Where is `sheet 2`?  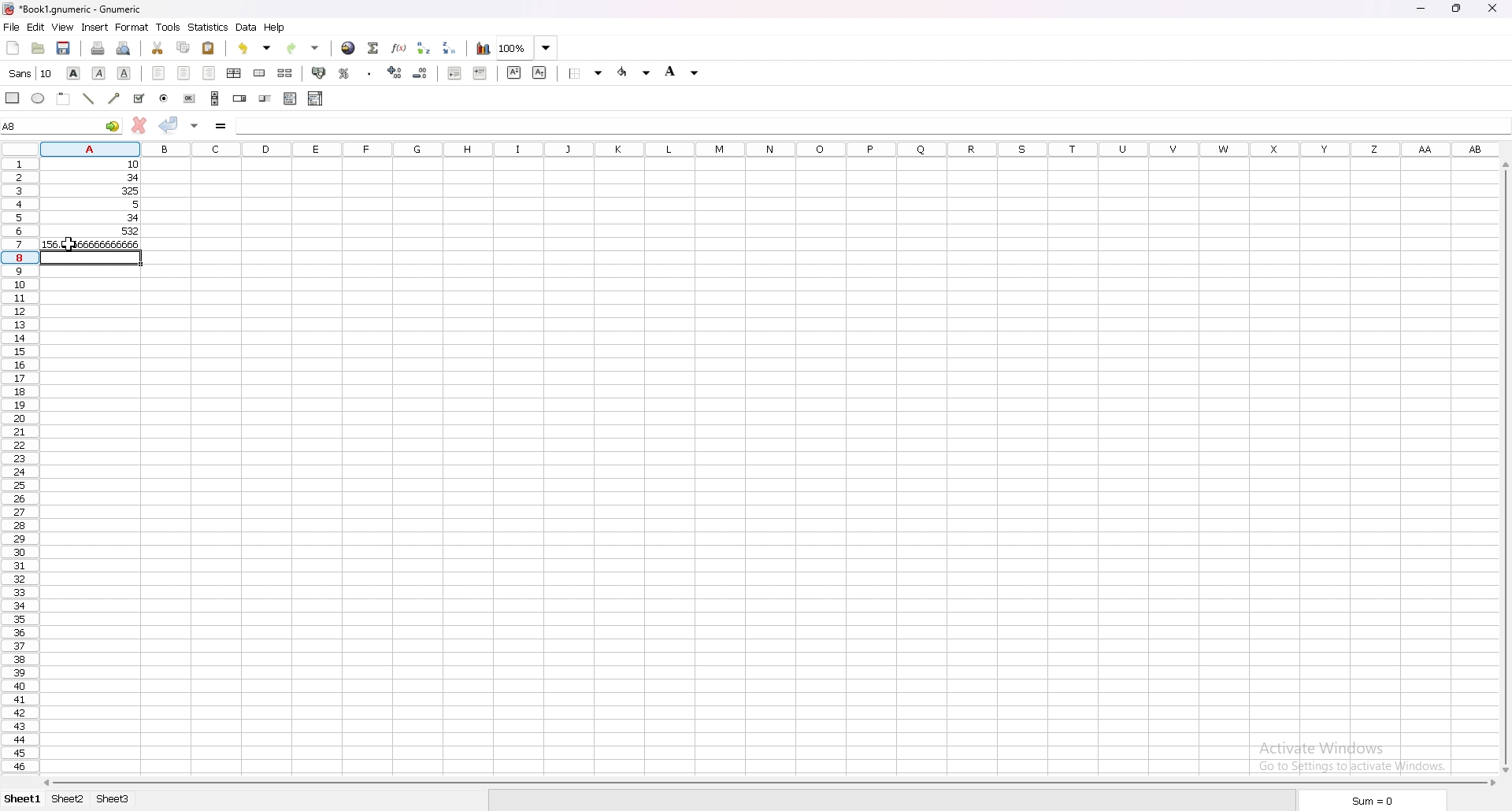
sheet 2 is located at coordinates (68, 798).